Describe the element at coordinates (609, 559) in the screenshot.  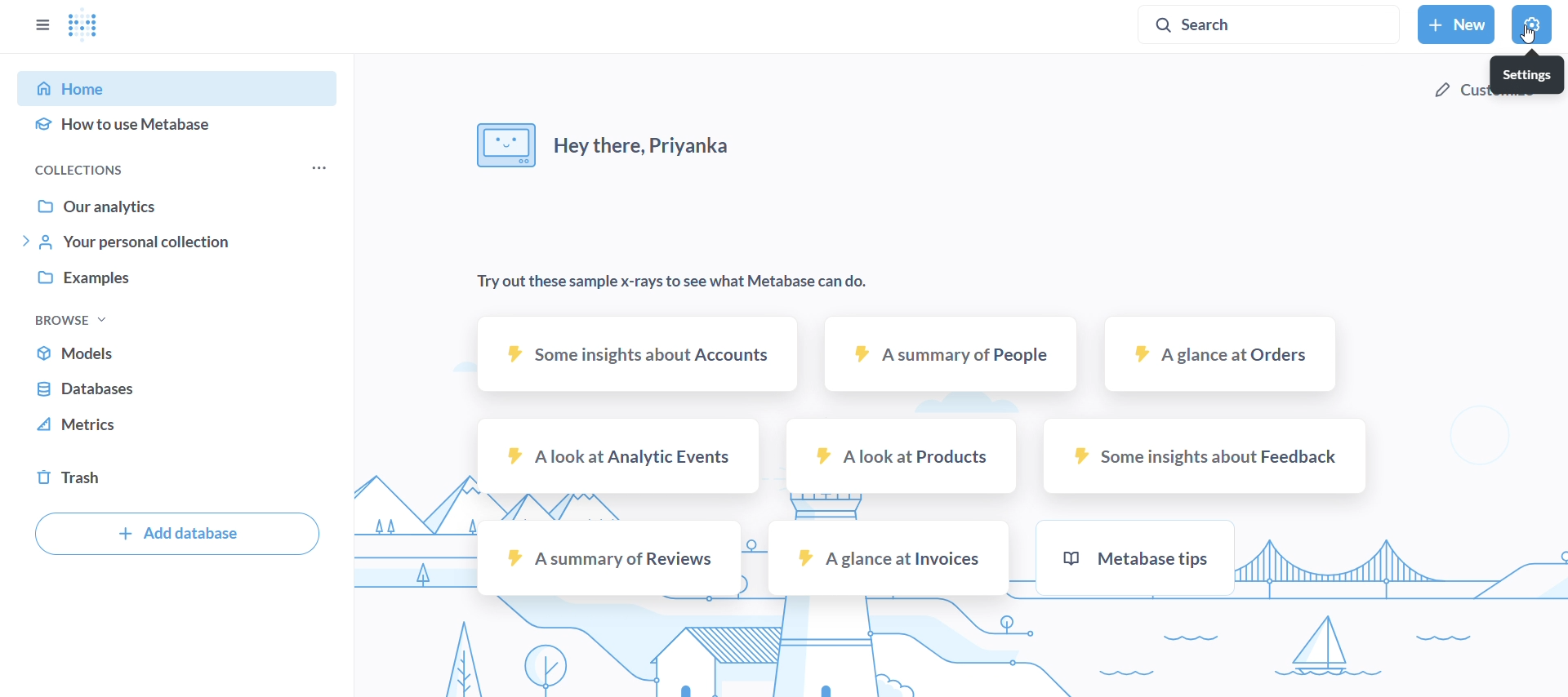
I see `a summary of reviews` at that location.